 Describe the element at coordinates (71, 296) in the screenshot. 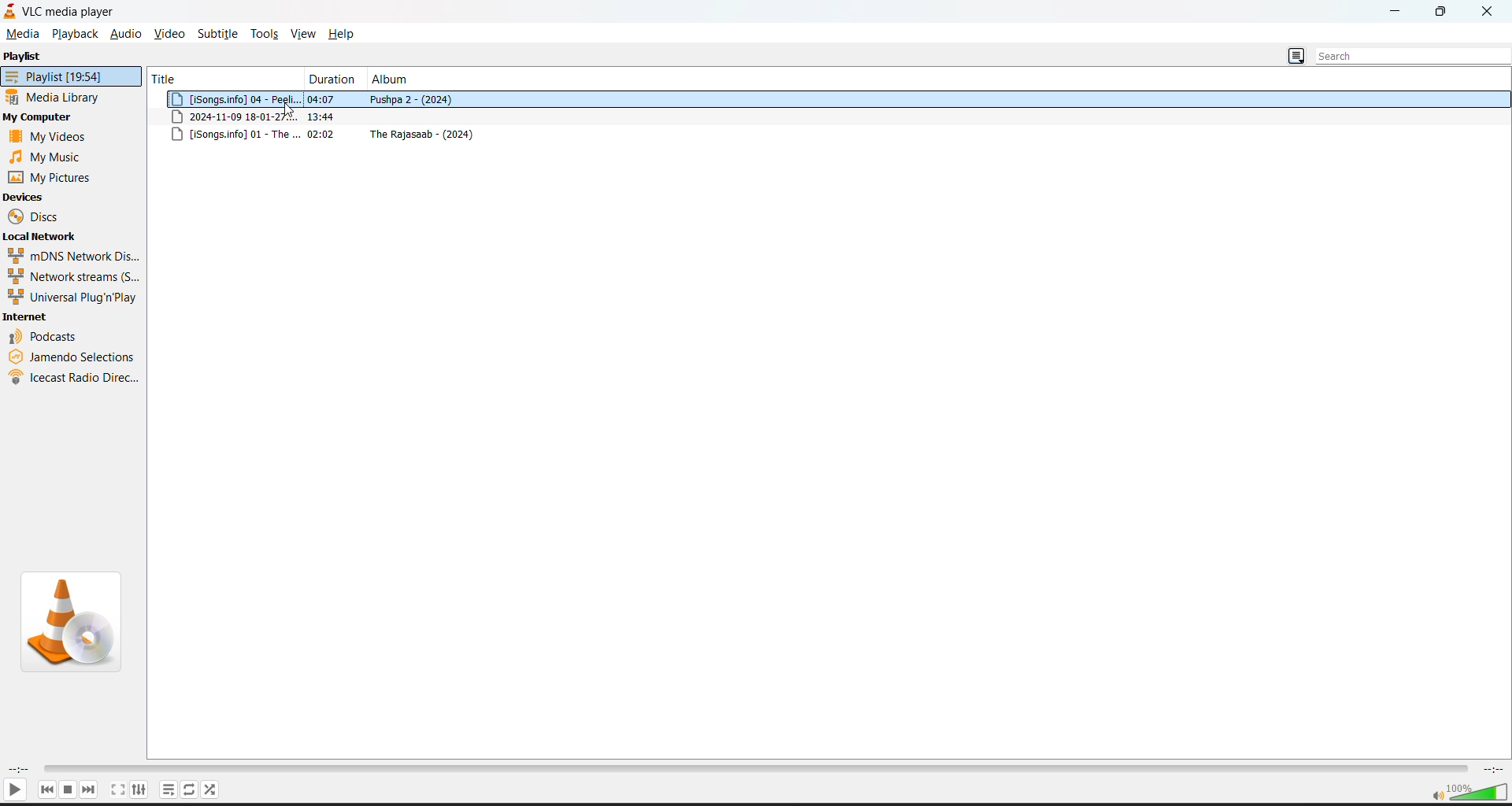

I see `universal plug n play` at that location.